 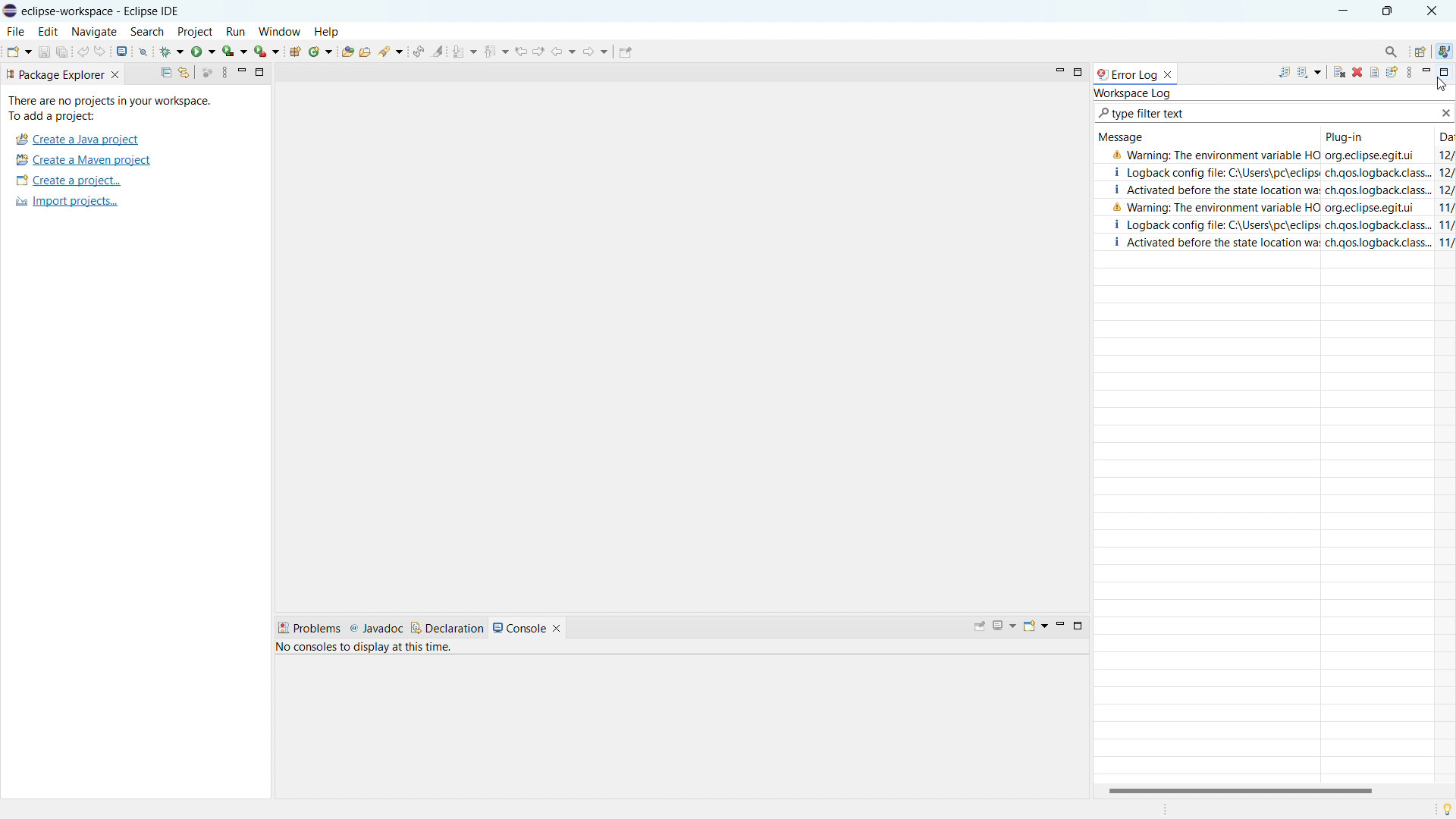 I want to click on clear log viewer, so click(x=1339, y=71).